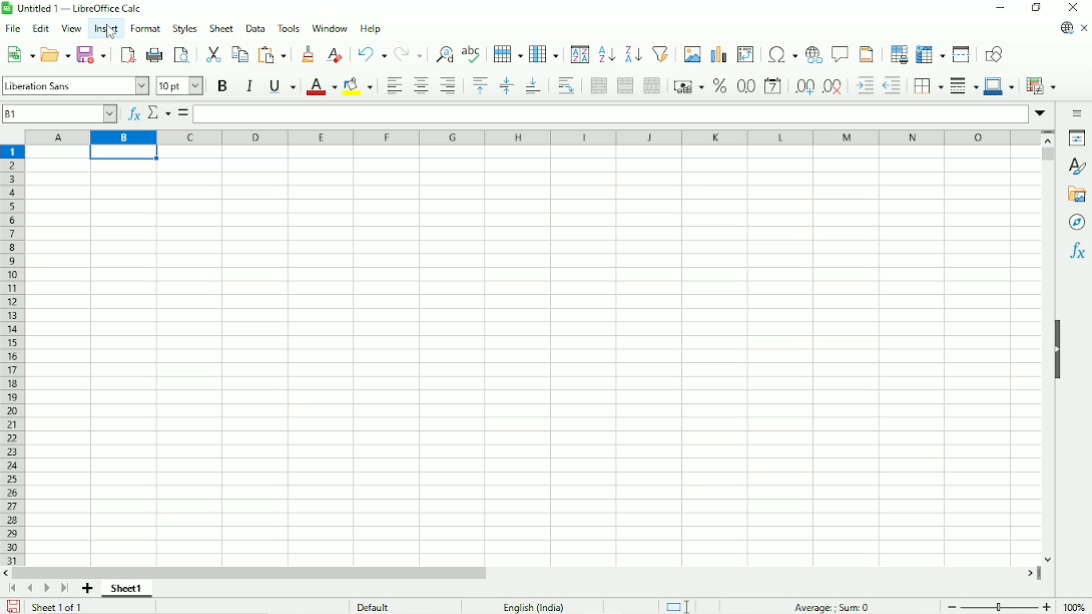 Image resolution: width=1092 pixels, height=614 pixels. I want to click on Horizontal scrollbar, so click(252, 574).